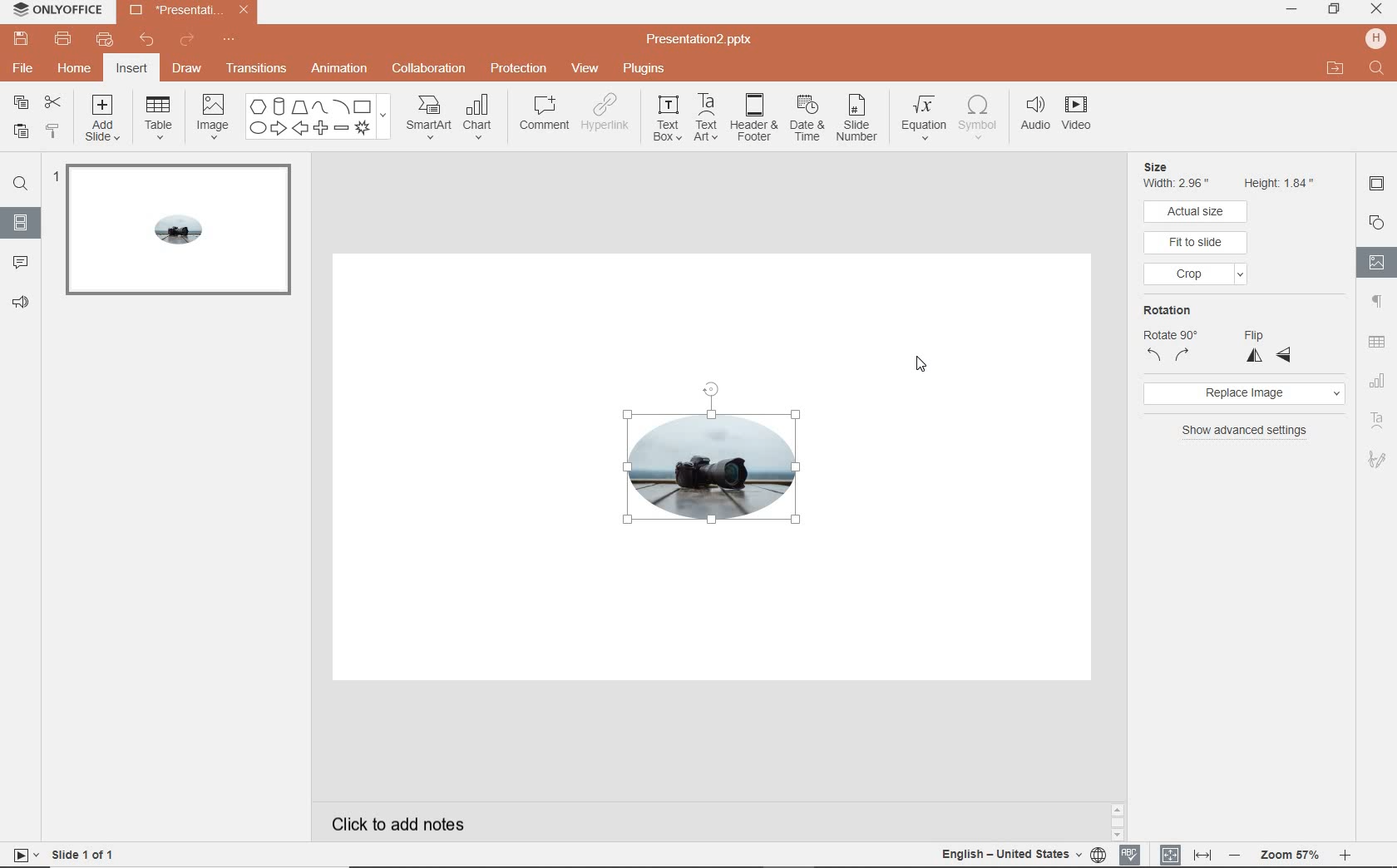 The height and width of the screenshot is (868, 1397). What do you see at coordinates (667, 121) in the screenshot?
I see `text box` at bounding box center [667, 121].